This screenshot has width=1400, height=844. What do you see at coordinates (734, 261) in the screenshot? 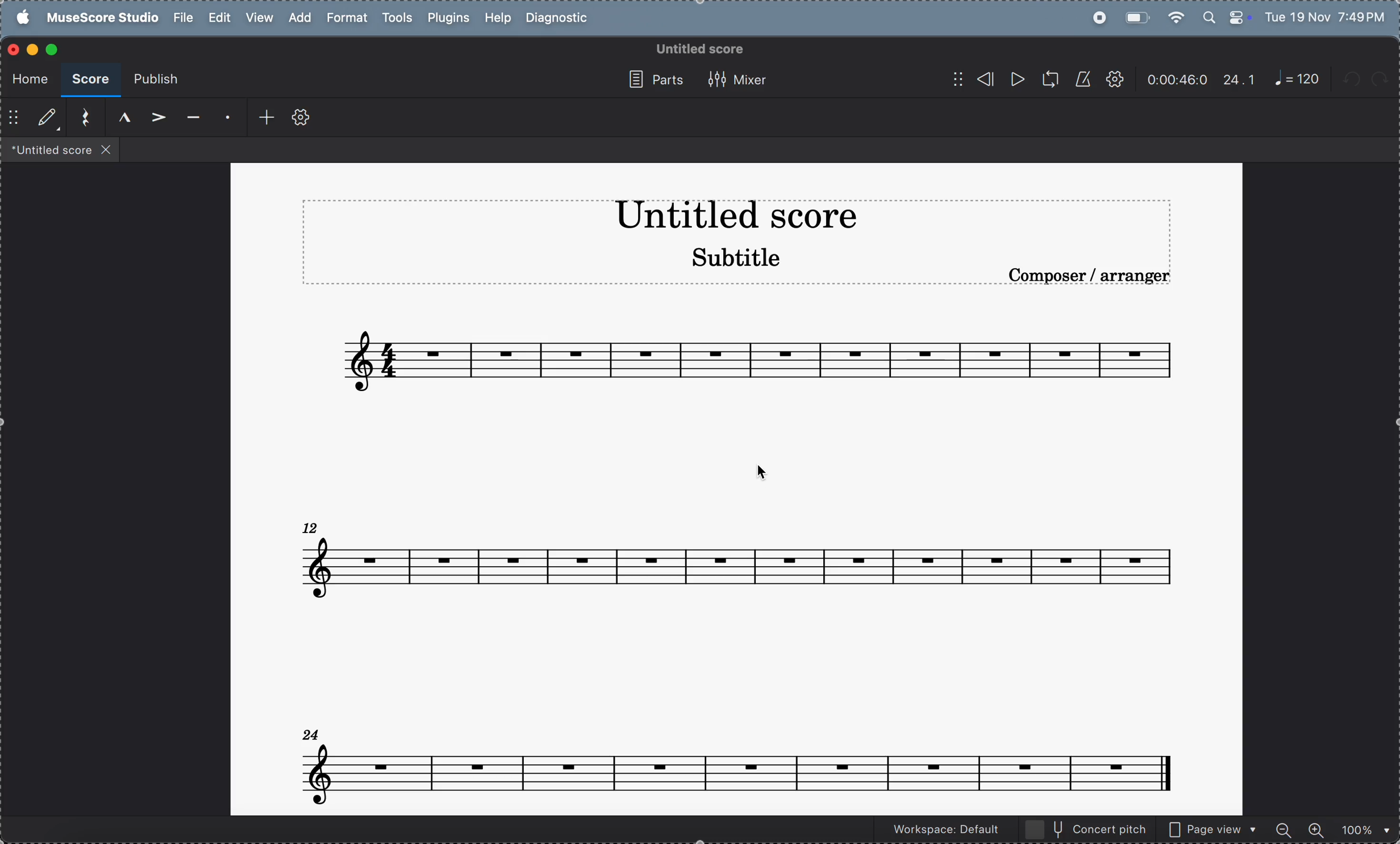
I see `subtitle` at bounding box center [734, 261].